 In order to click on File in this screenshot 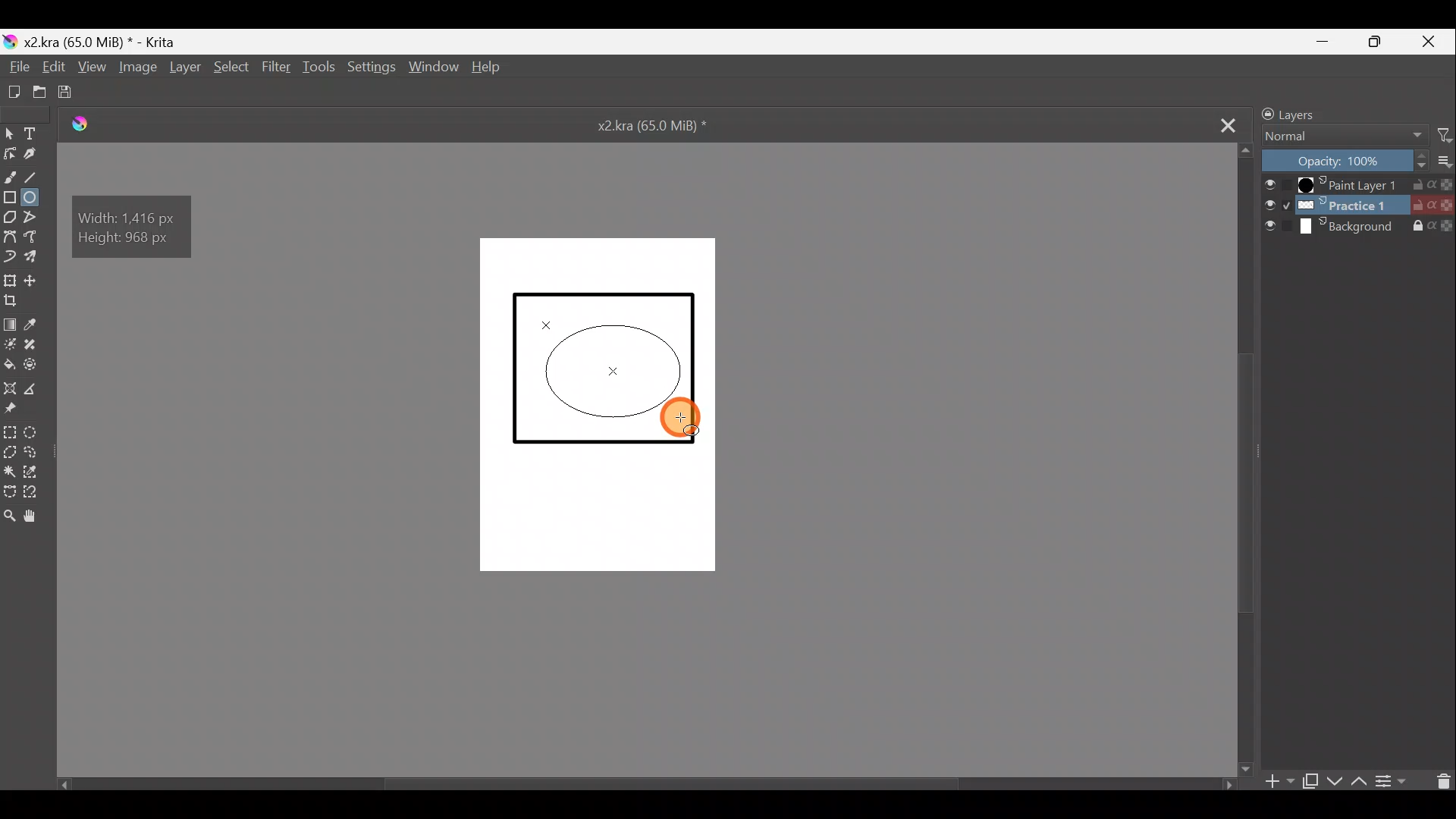, I will do `click(15, 67)`.